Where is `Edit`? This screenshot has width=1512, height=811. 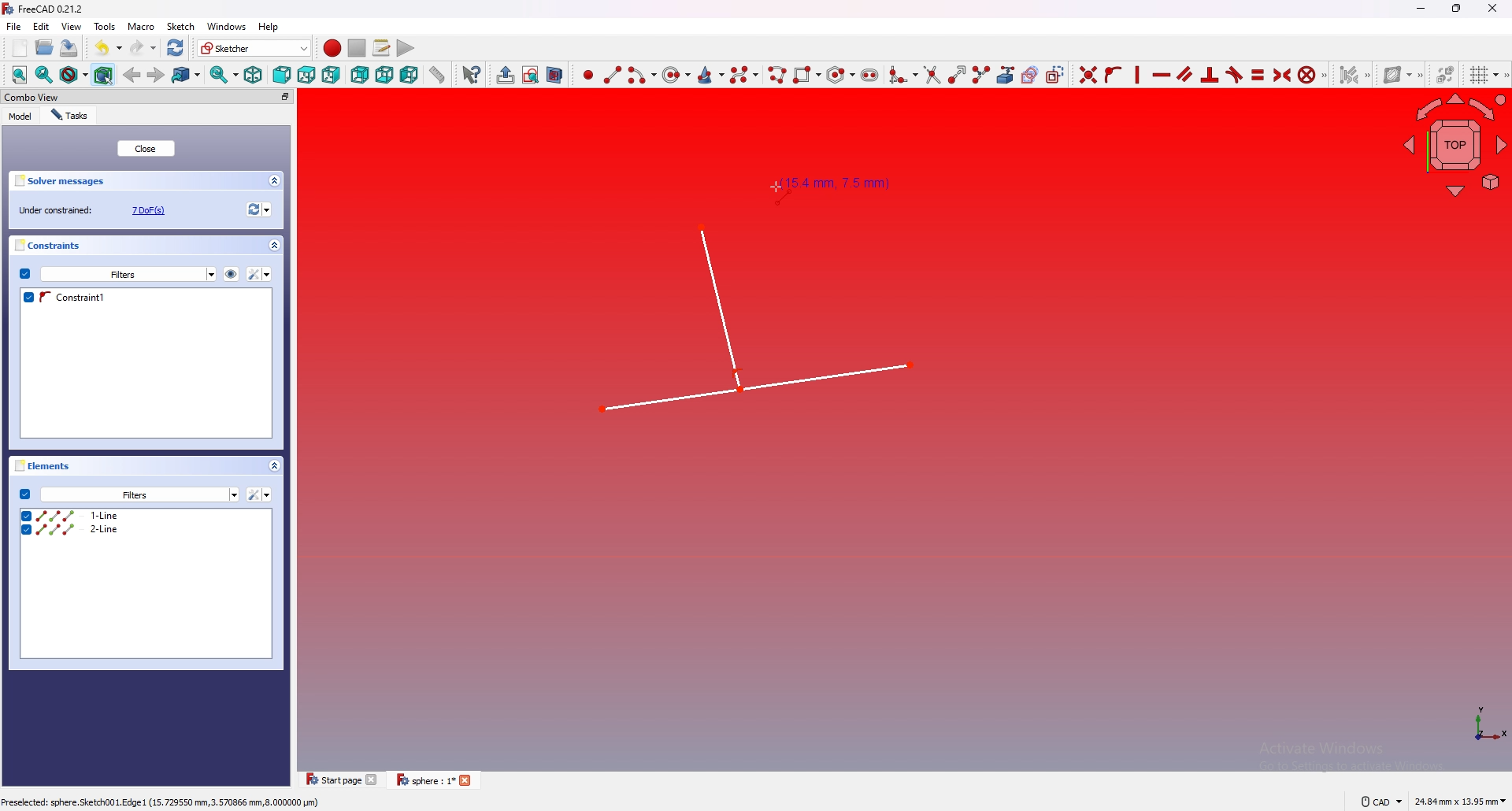 Edit is located at coordinates (42, 28).